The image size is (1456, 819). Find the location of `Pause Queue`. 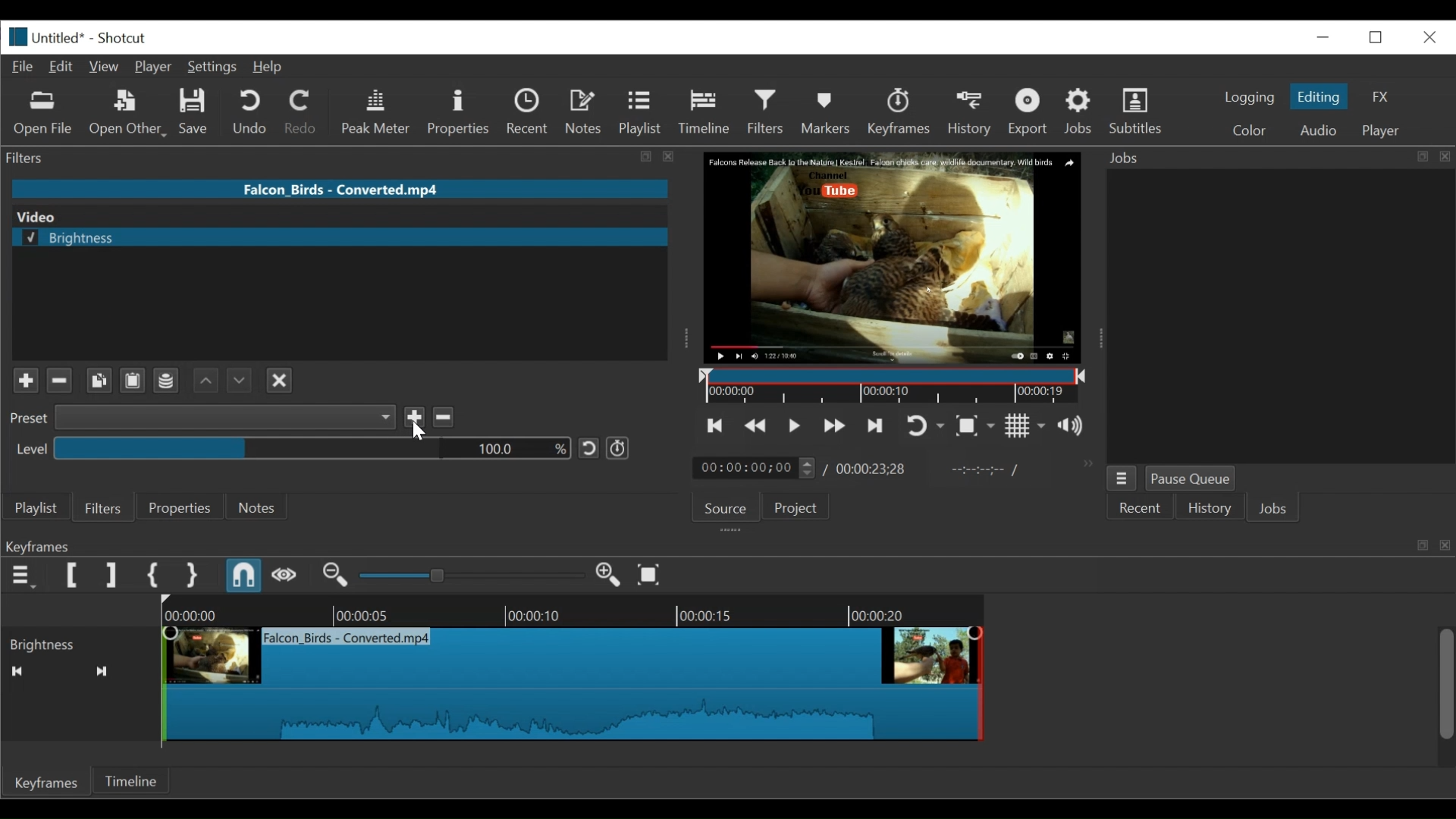

Pause Queue is located at coordinates (1190, 479).